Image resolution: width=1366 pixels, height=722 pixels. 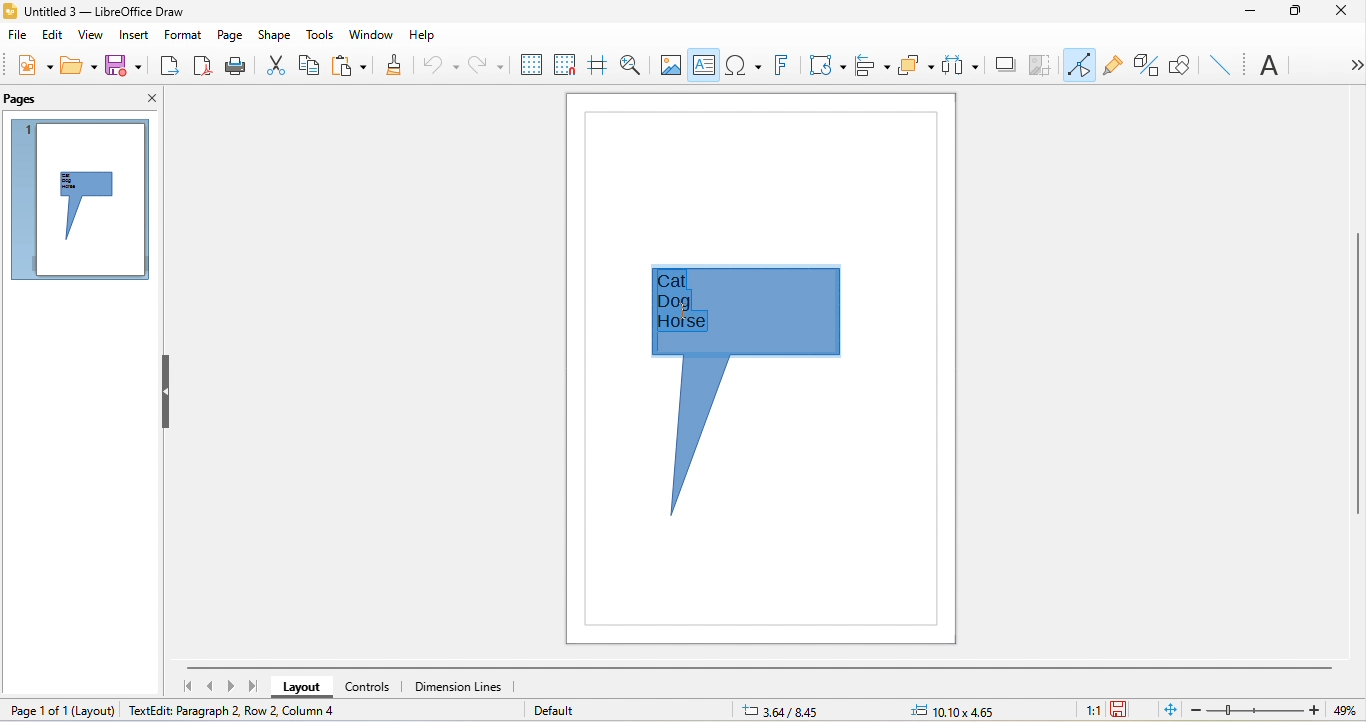 What do you see at coordinates (91, 37) in the screenshot?
I see `view` at bounding box center [91, 37].